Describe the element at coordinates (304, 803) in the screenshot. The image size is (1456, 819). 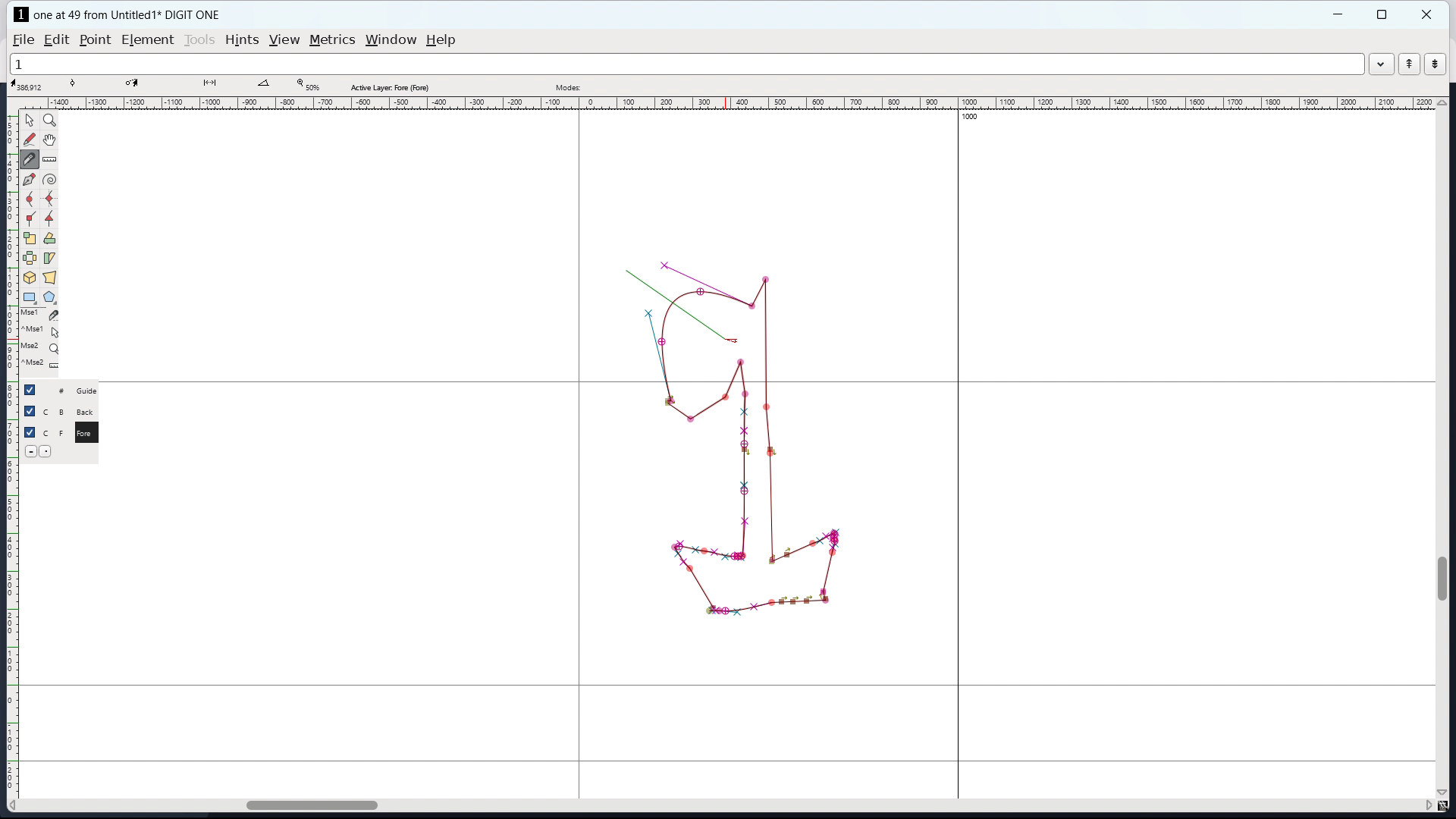
I see `horizontal scrollbar` at that location.